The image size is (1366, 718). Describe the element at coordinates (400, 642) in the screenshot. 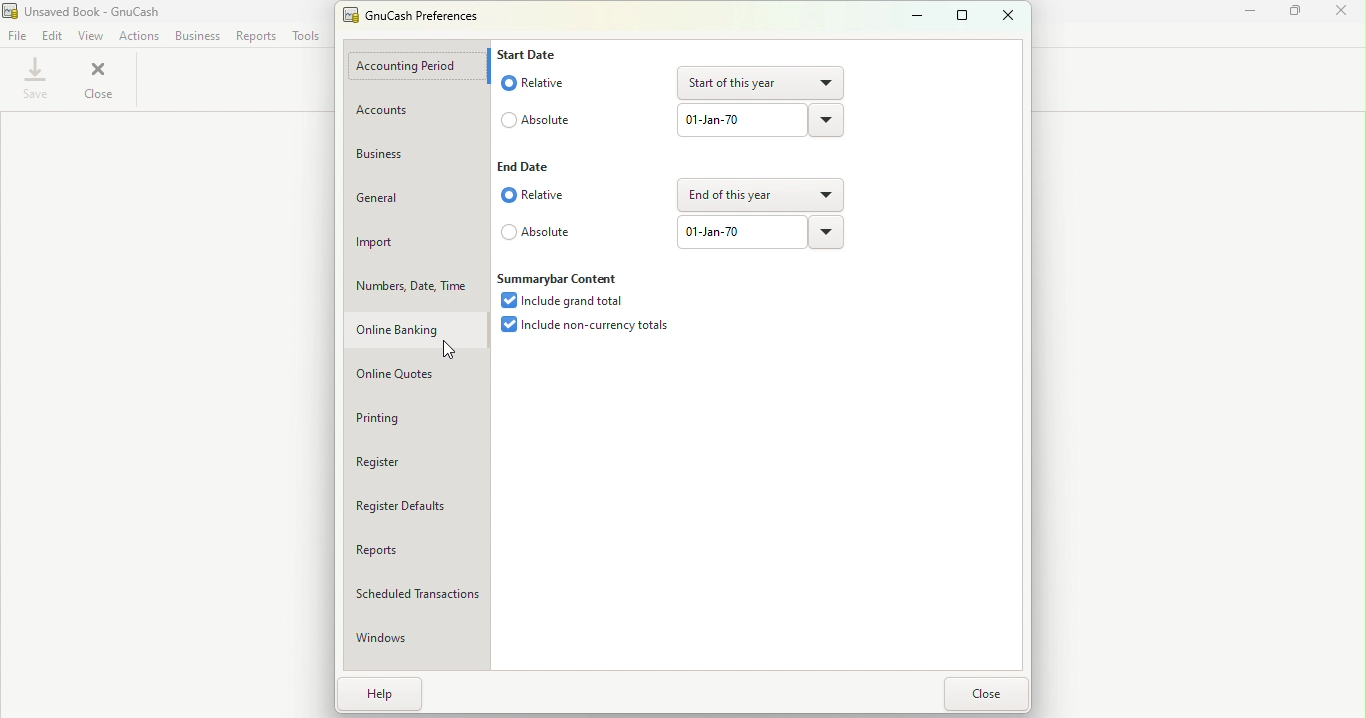

I see `Windows` at that location.